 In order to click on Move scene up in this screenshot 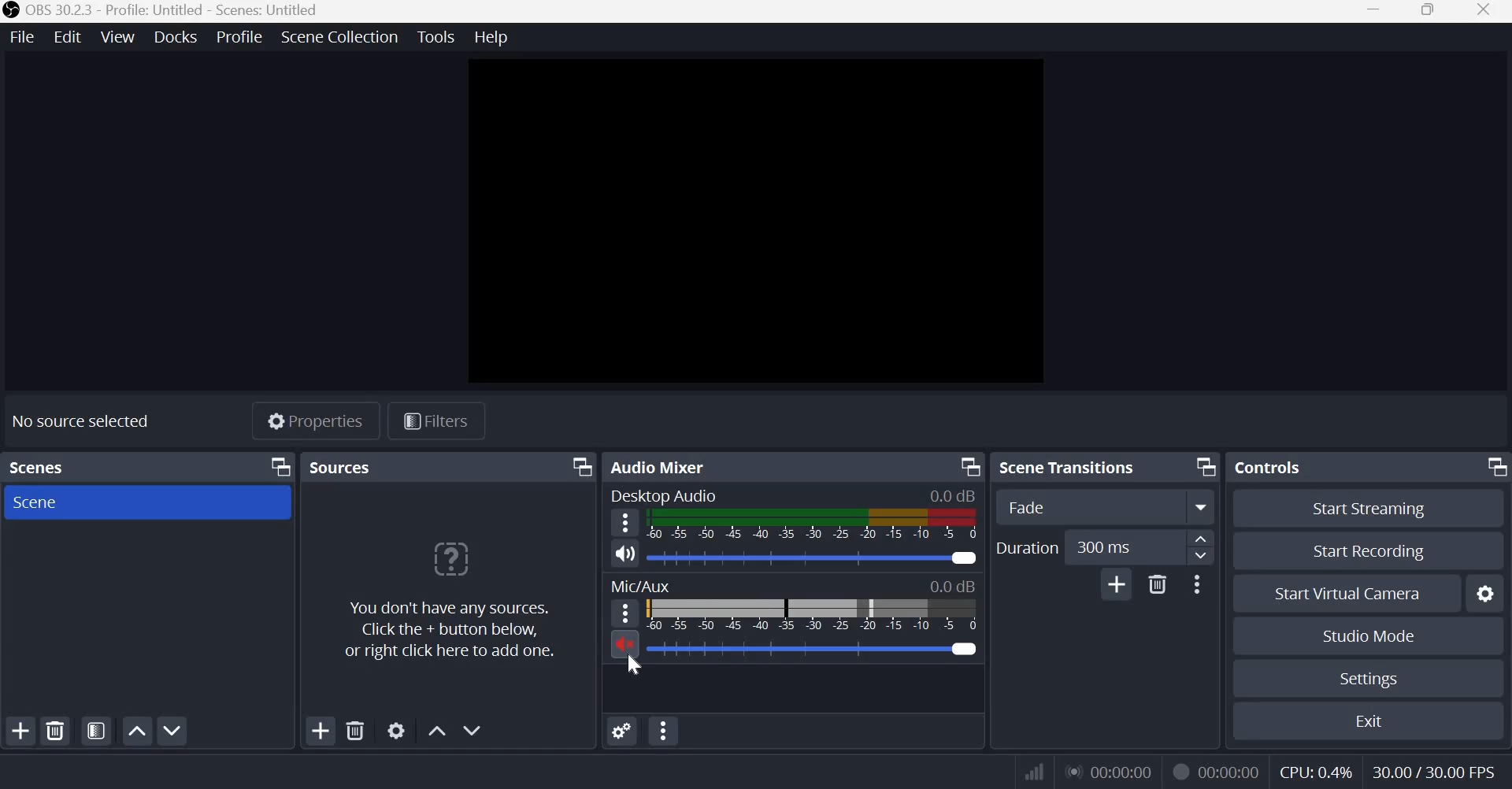, I will do `click(136, 732)`.